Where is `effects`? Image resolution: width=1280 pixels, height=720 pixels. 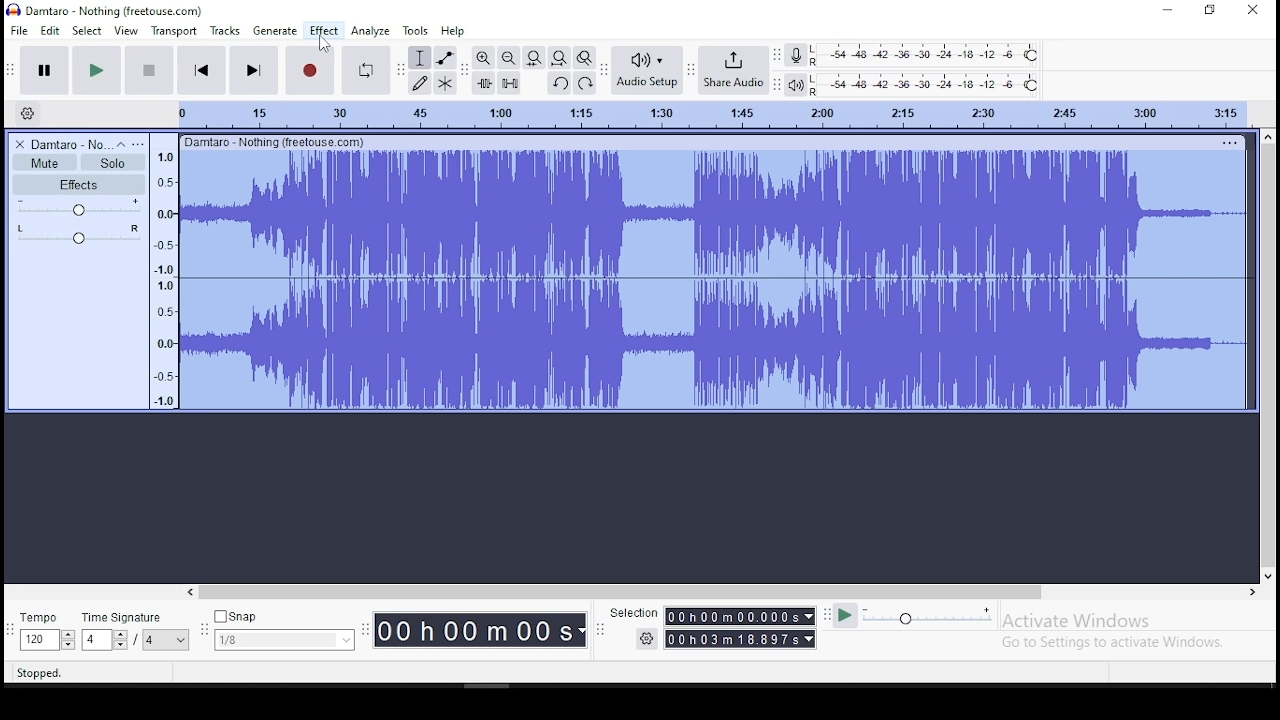
effects is located at coordinates (81, 184).